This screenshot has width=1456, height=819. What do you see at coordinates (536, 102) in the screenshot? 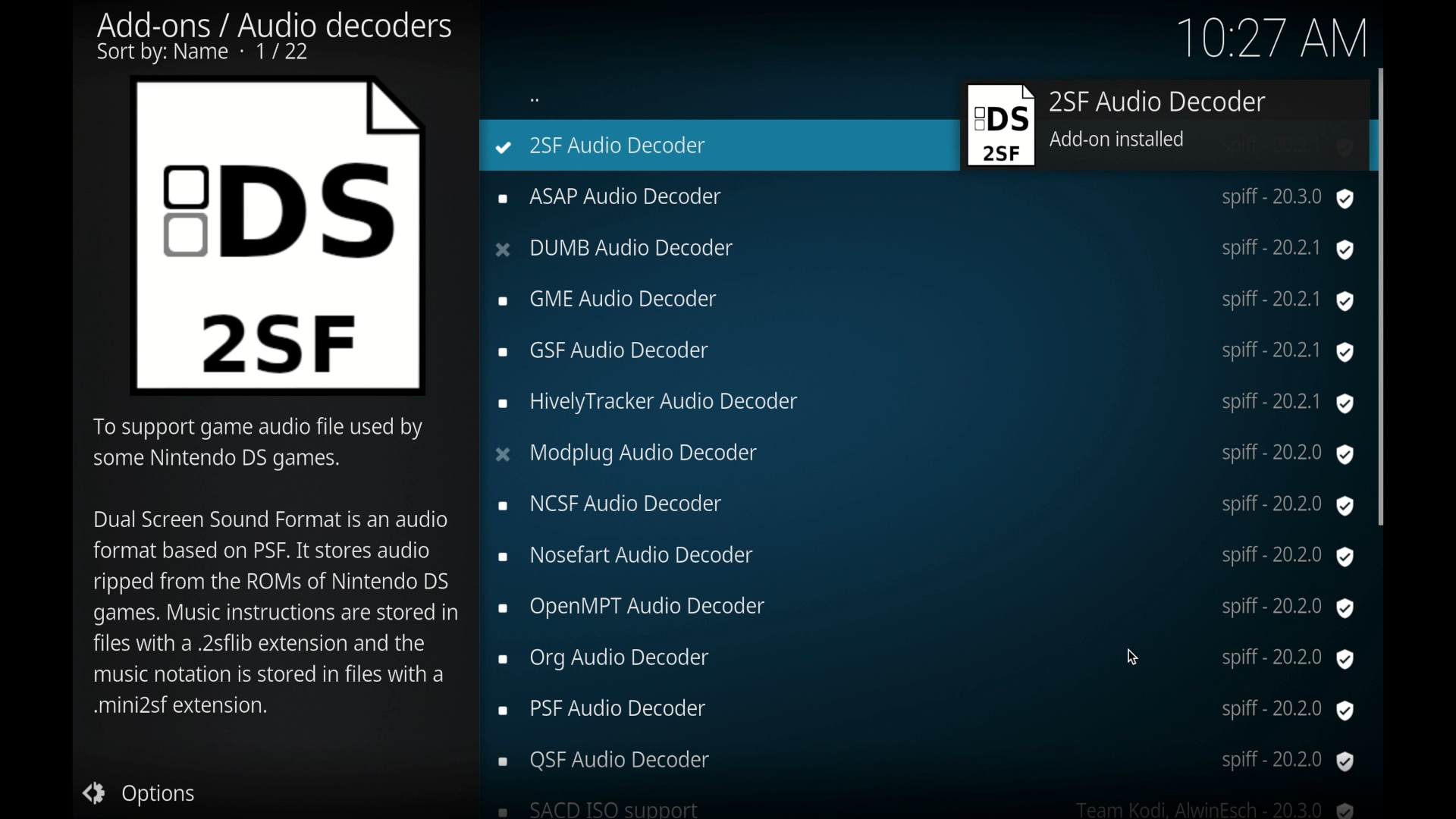
I see `dots icon` at bounding box center [536, 102].